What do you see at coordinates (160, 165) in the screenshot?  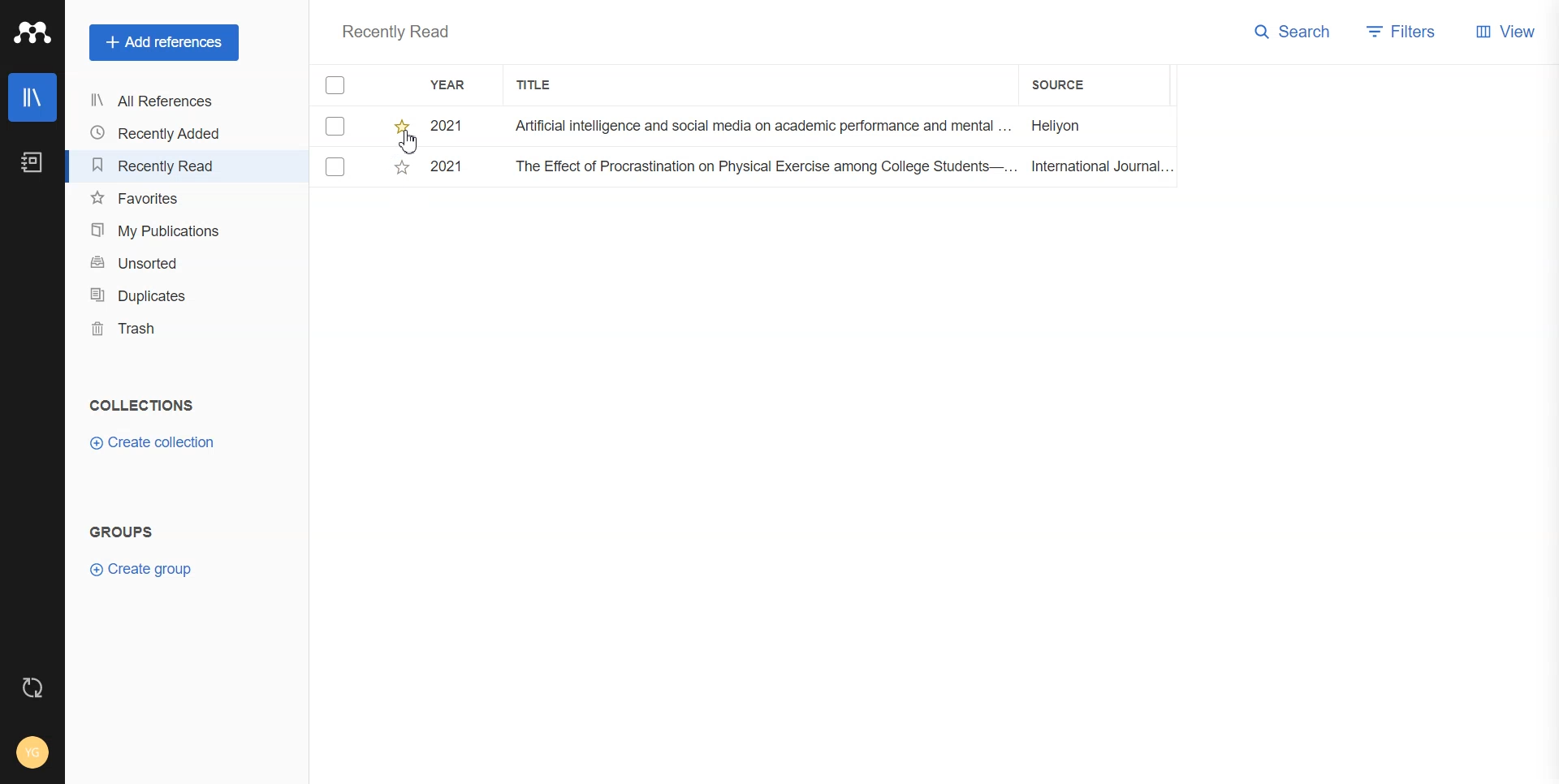 I see `Recently Read` at bounding box center [160, 165].